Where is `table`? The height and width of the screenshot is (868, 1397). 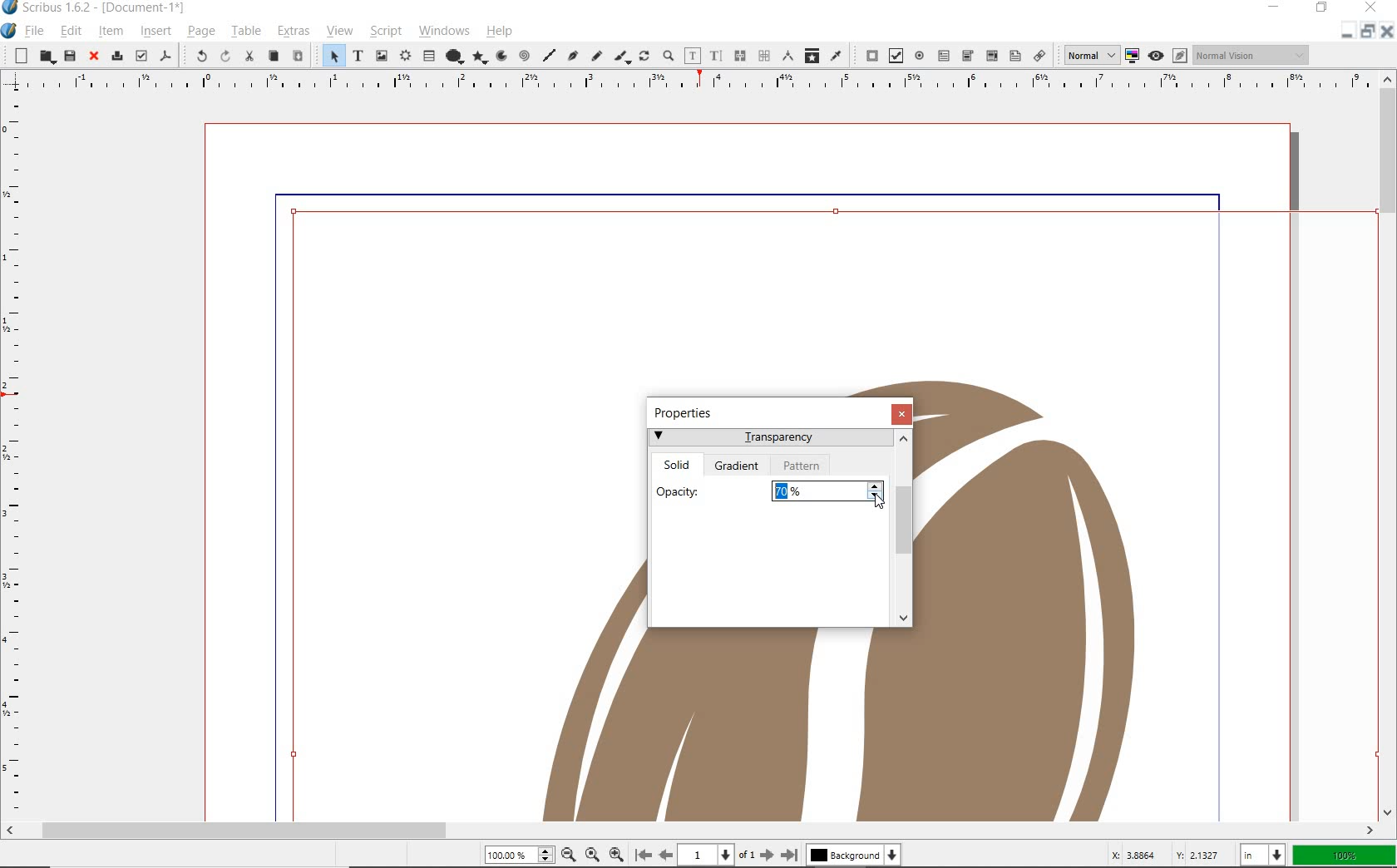
table is located at coordinates (245, 31).